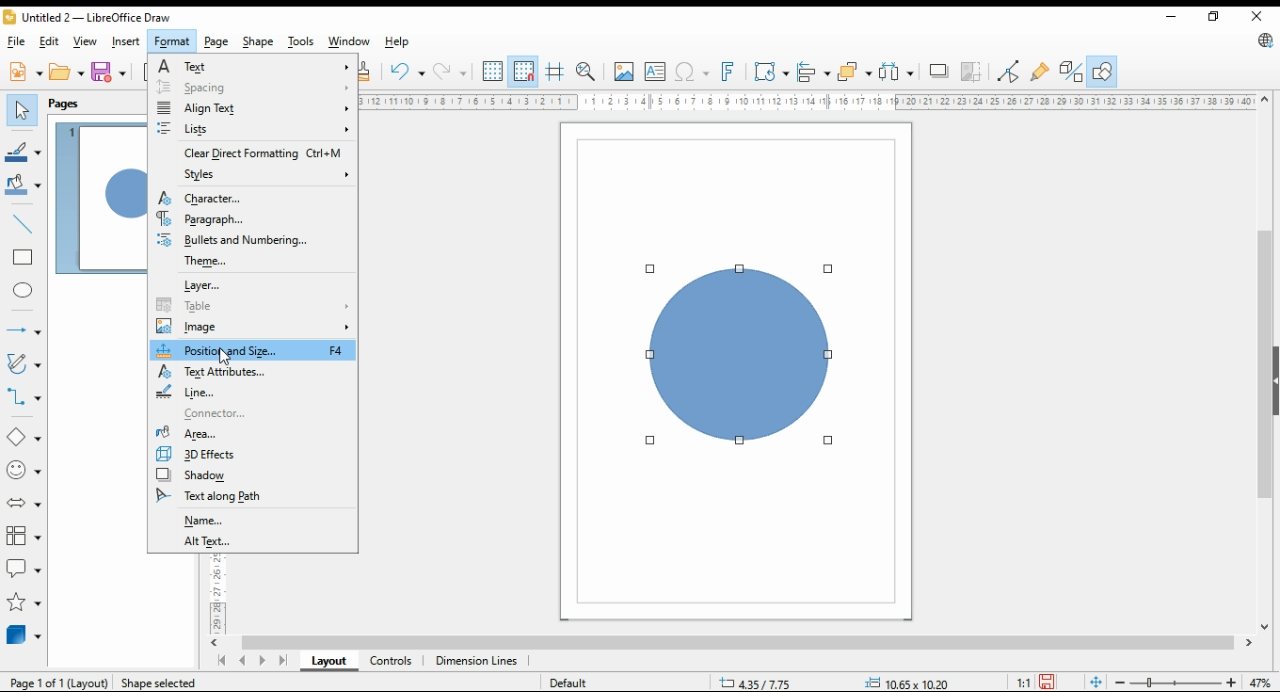  What do you see at coordinates (66, 71) in the screenshot?
I see `open` at bounding box center [66, 71].